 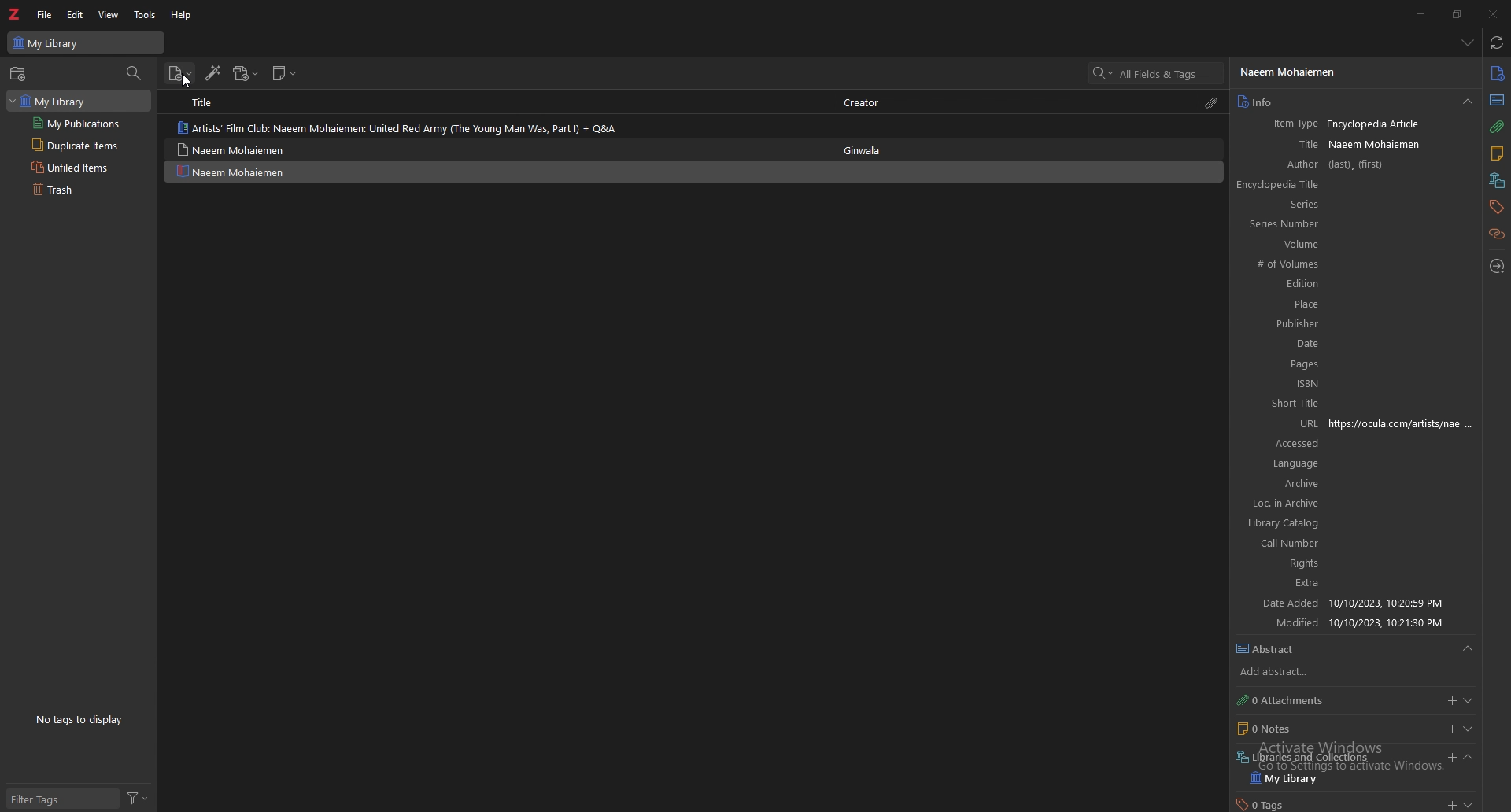 What do you see at coordinates (1281, 124) in the screenshot?
I see `item type` at bounding box center [1281, 124].